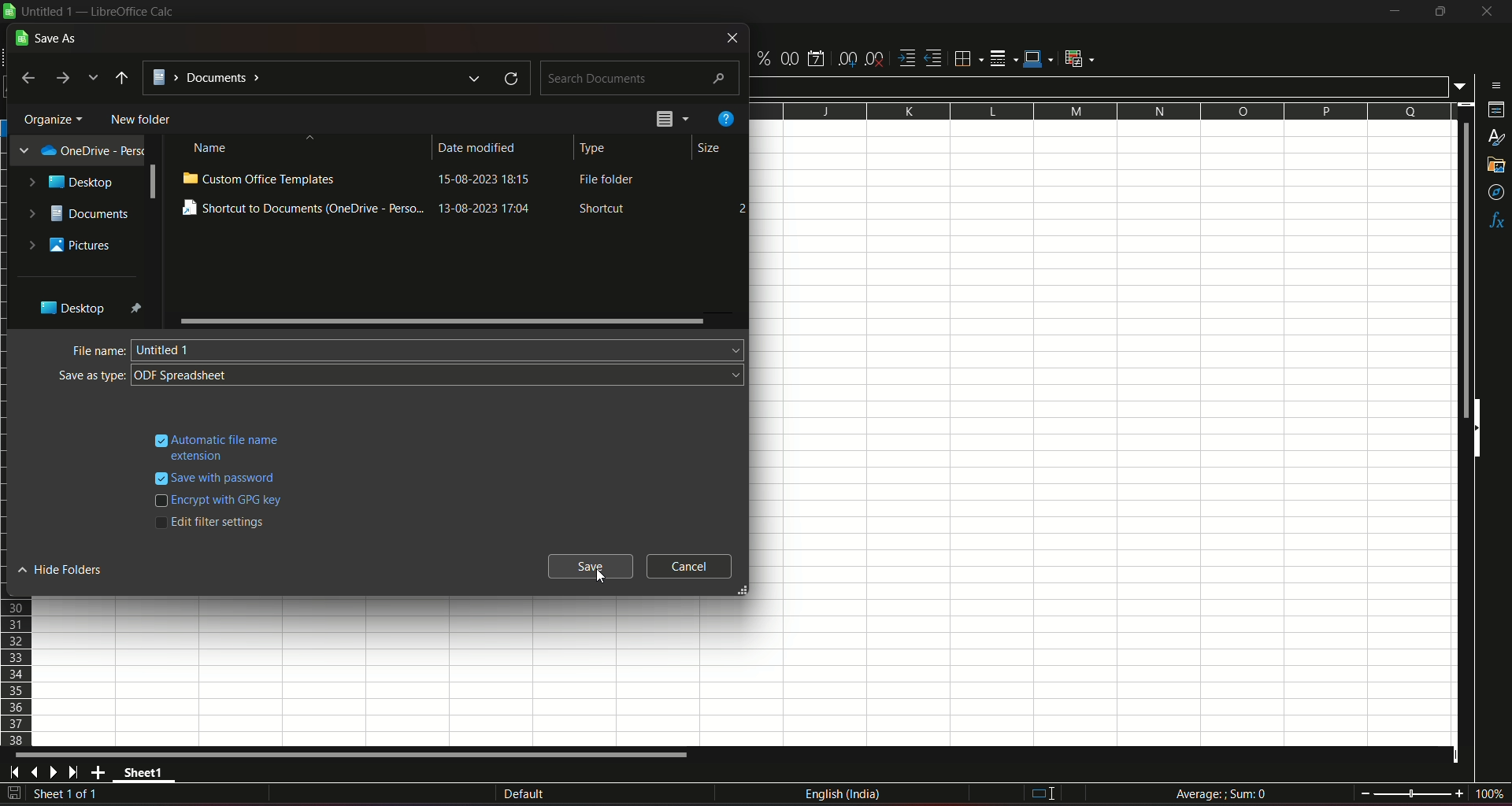 This screenshot has width=1512, height=806. What do you see at coordinates (160, 478) in the screenshot?
I see `enable checkbox` at bounding box center [160, 478].